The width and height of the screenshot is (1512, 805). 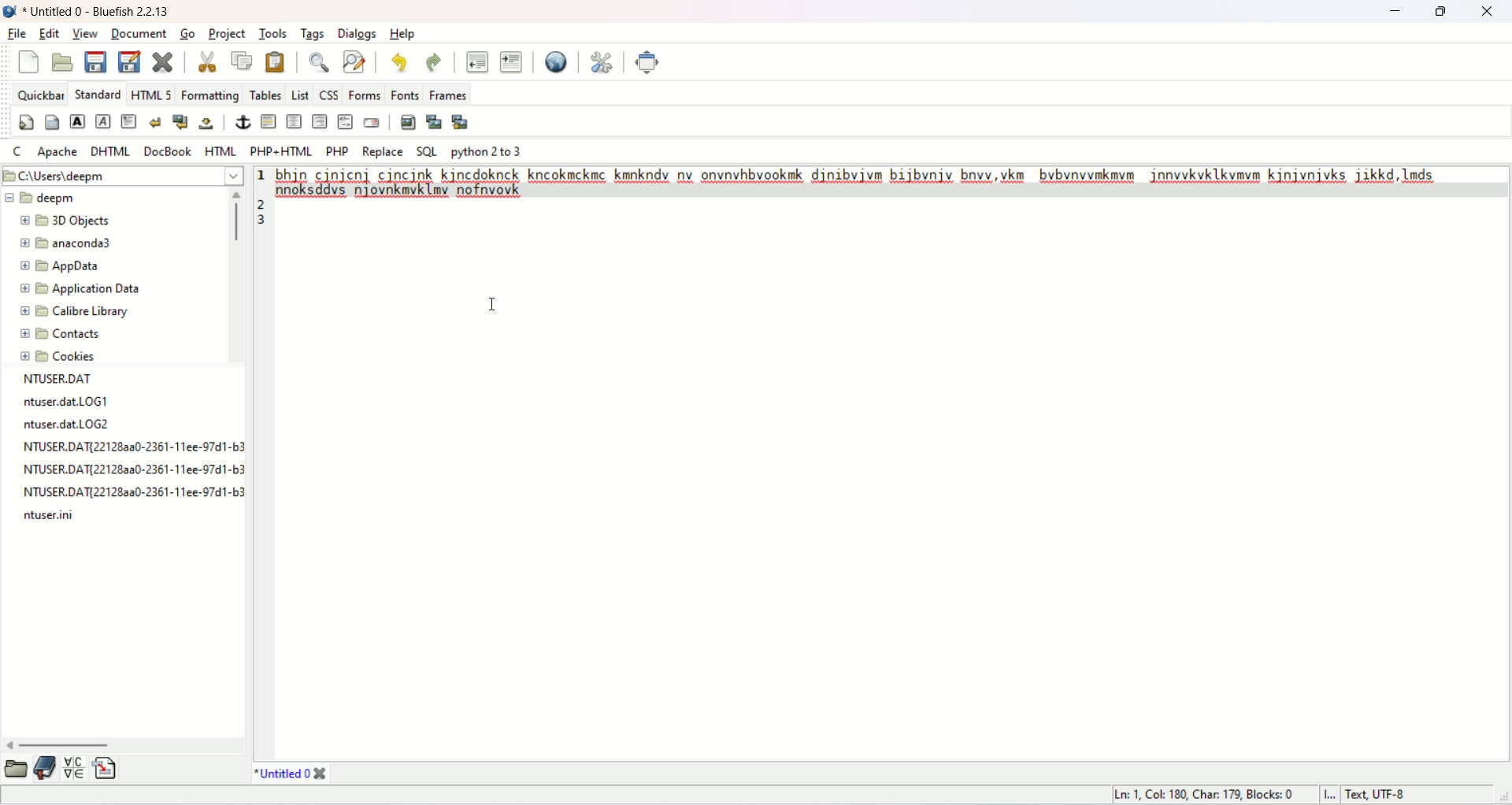 What do you see at coordinates (111, 151) in the screenshot?
I see `DHTML` at bounding box center [111, 151].